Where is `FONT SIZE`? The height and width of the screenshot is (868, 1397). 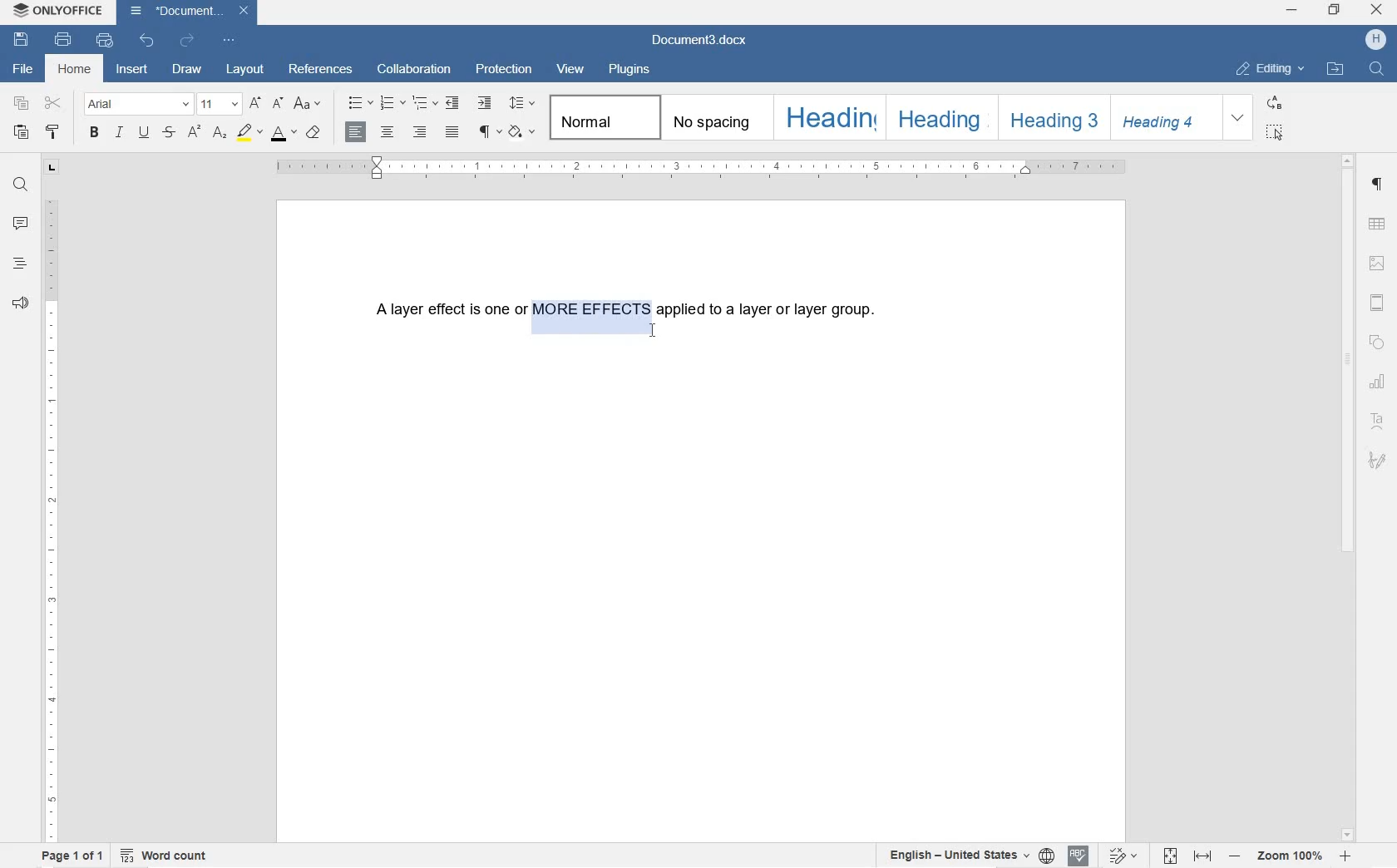 FONT SIZE is located at coordinates (219, 103).